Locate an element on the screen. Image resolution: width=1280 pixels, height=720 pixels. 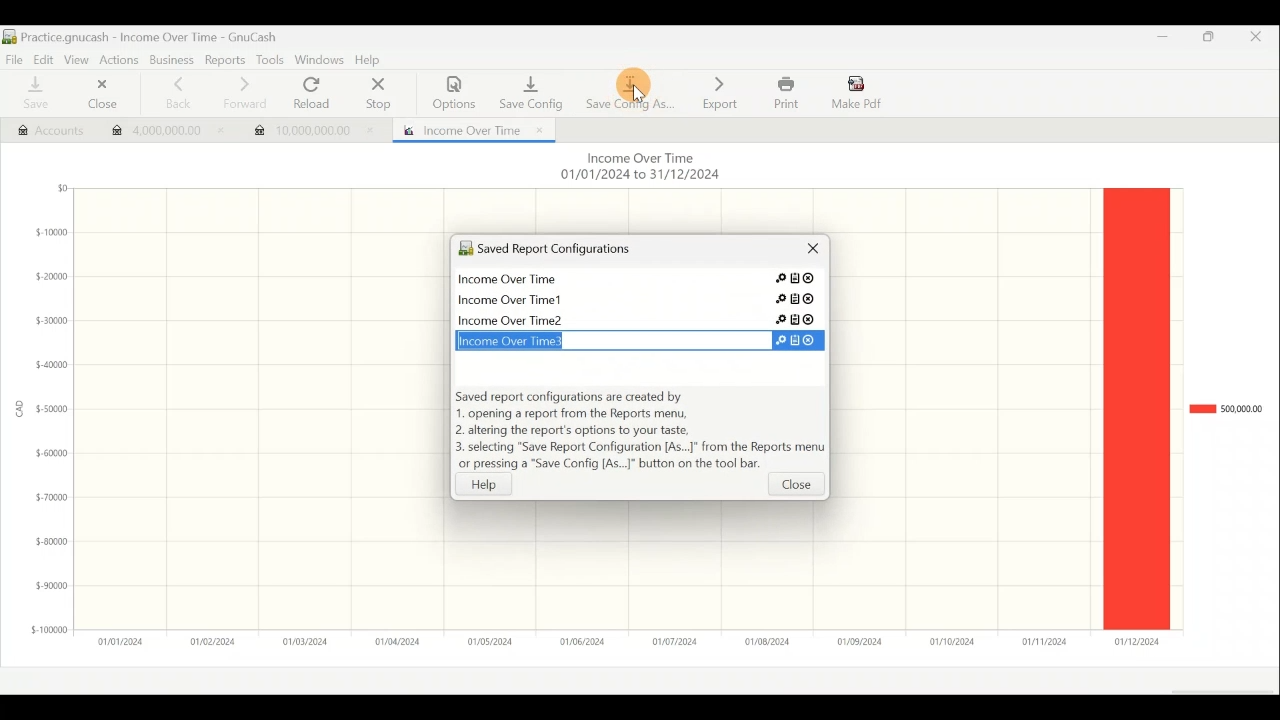
x-axis (date range) is located at coordinates (616, 641).